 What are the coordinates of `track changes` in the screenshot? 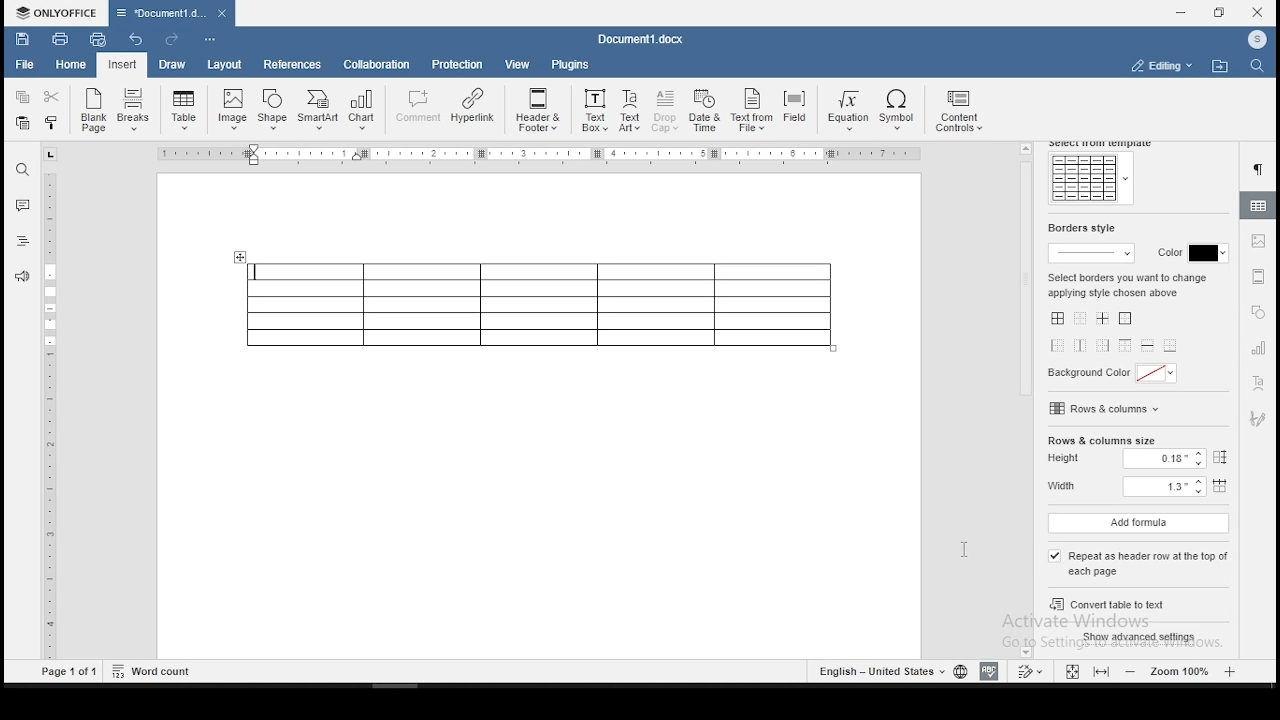 It's located at (1032, 670).